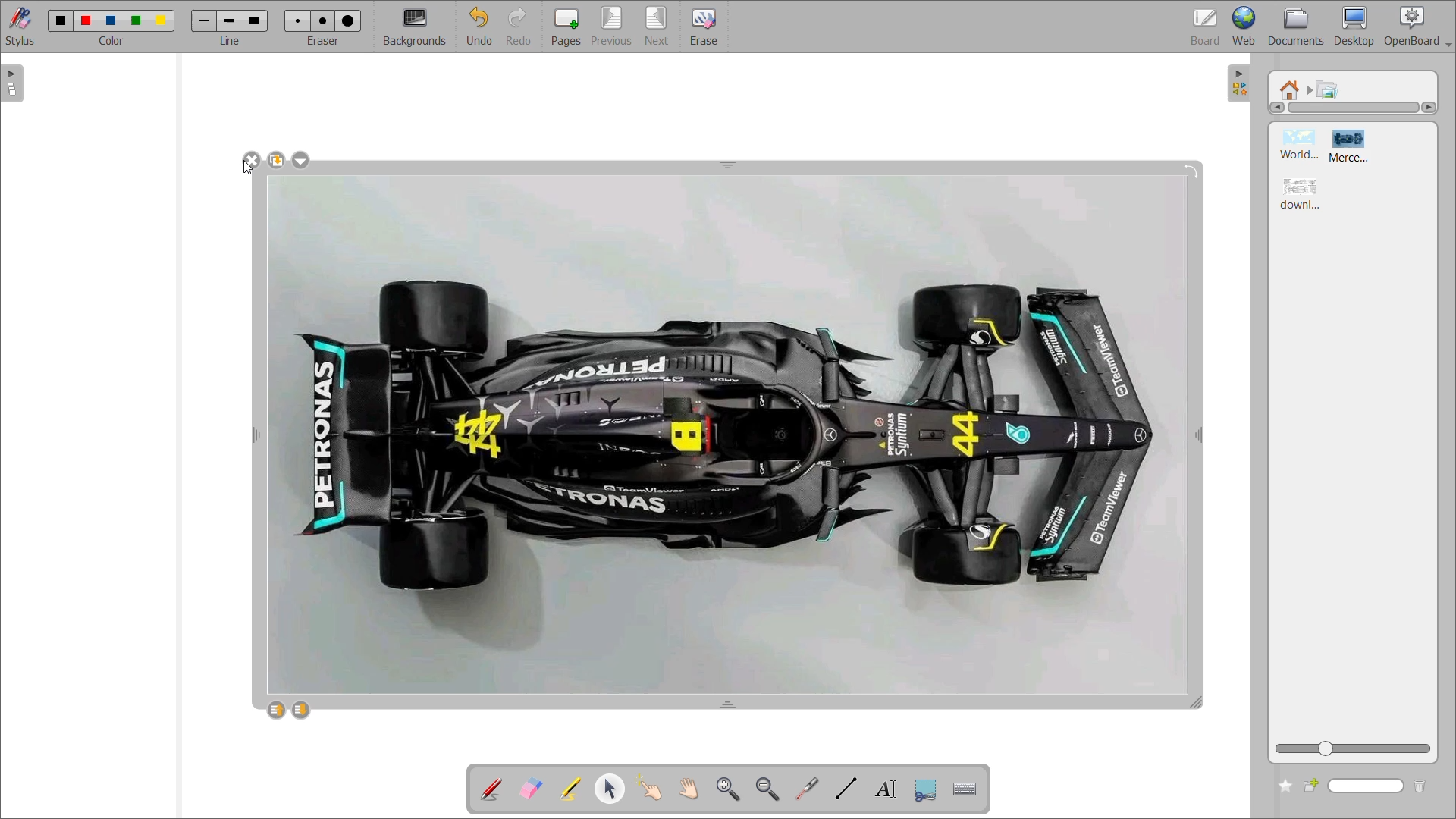 The height and width of the screenshot is (819, 1456). I want to click on image 2, so click(1355, 146).